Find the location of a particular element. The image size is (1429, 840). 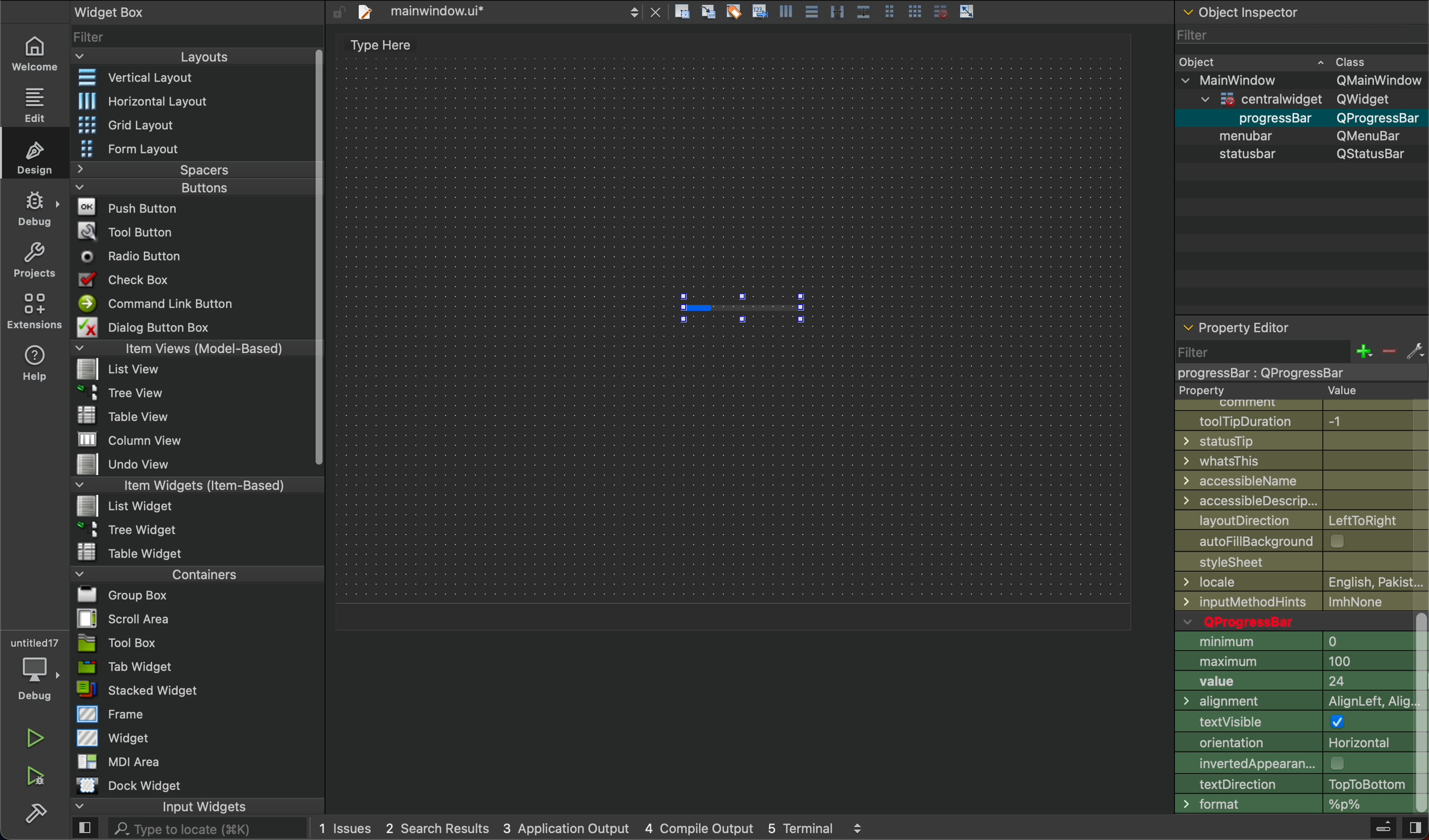

Items View is located at coordinates (188, 347).